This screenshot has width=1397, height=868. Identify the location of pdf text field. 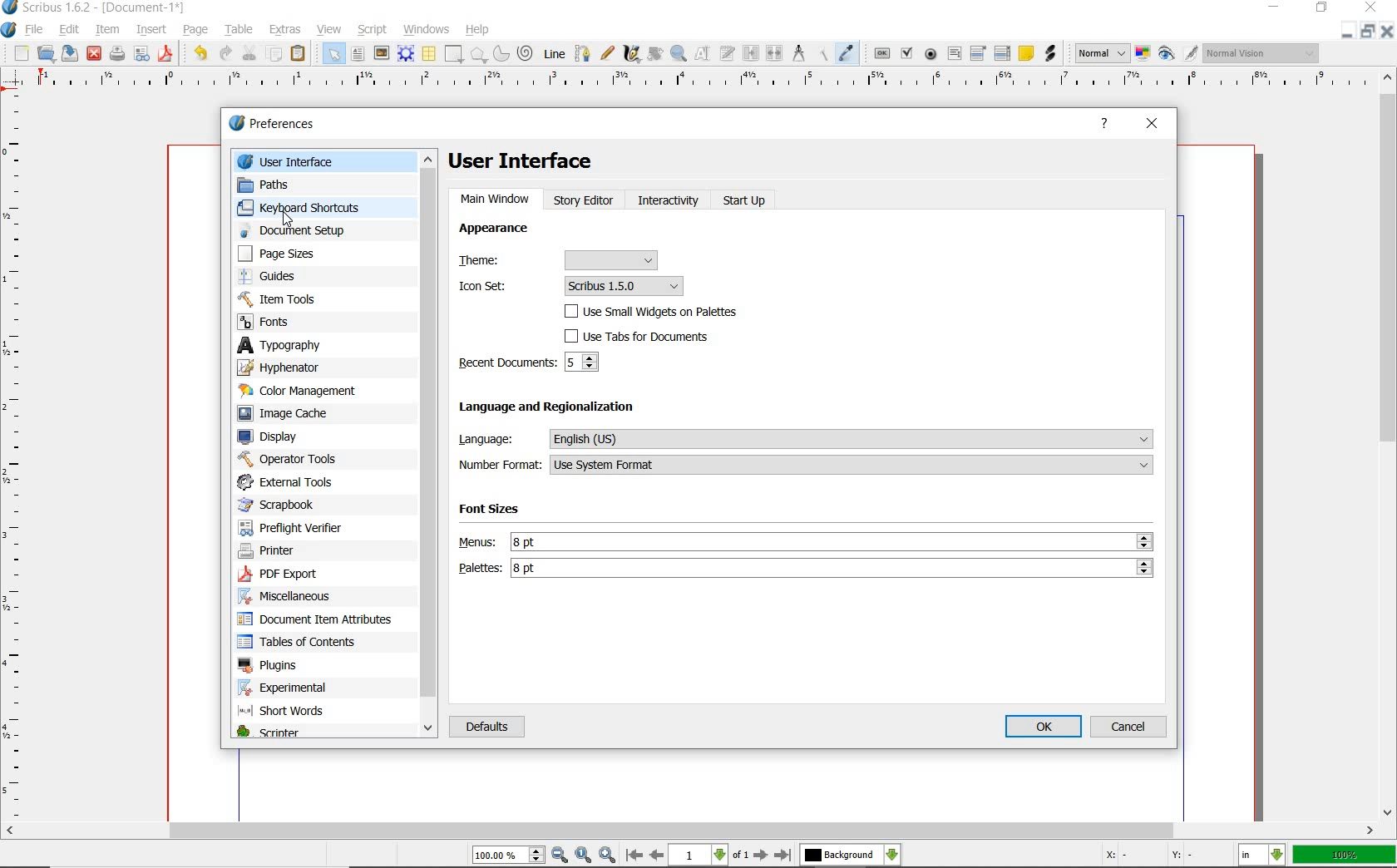
(954, 56).